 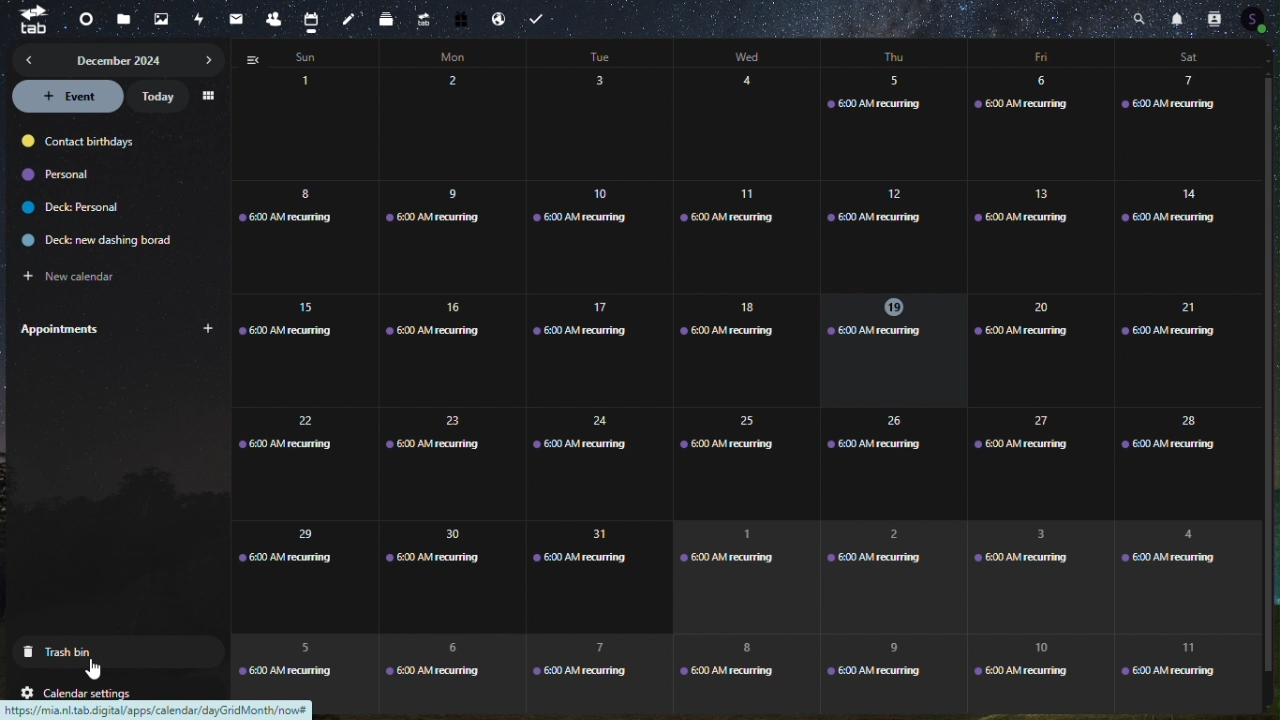 I want to click on 19, so click(x=882, y=342).